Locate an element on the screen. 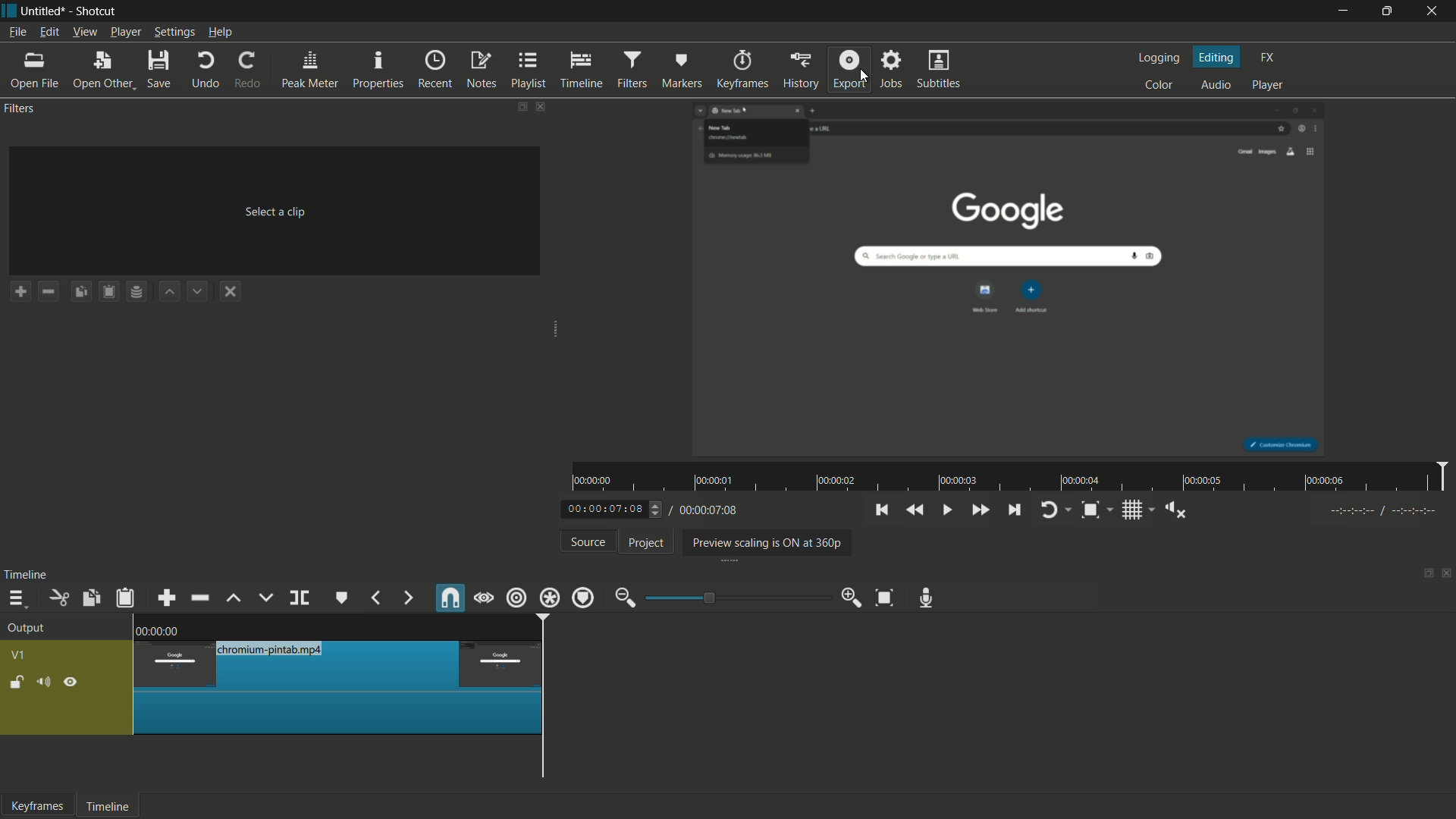  playlist is located at coordinates (529, 69).